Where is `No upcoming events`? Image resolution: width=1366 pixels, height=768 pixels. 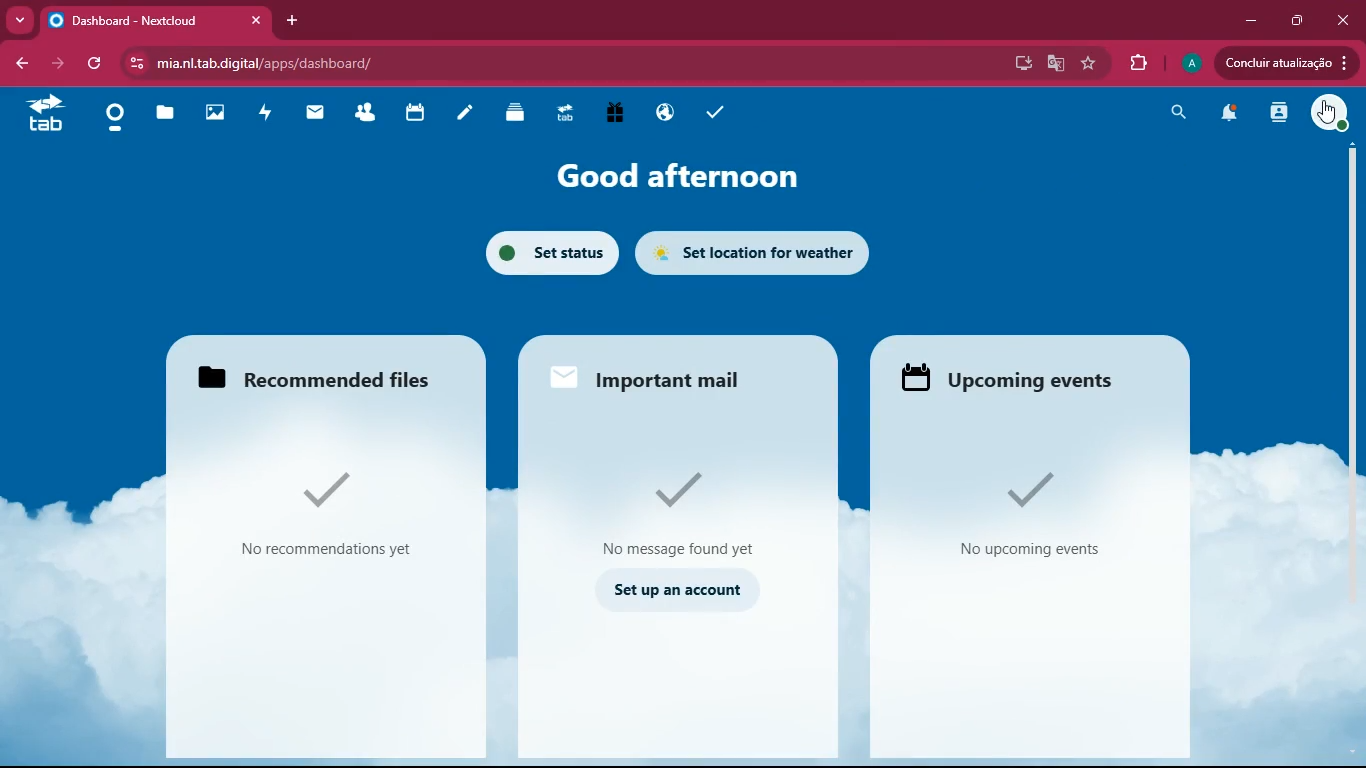
No upcoming events is located at coordinates (1060, 510).